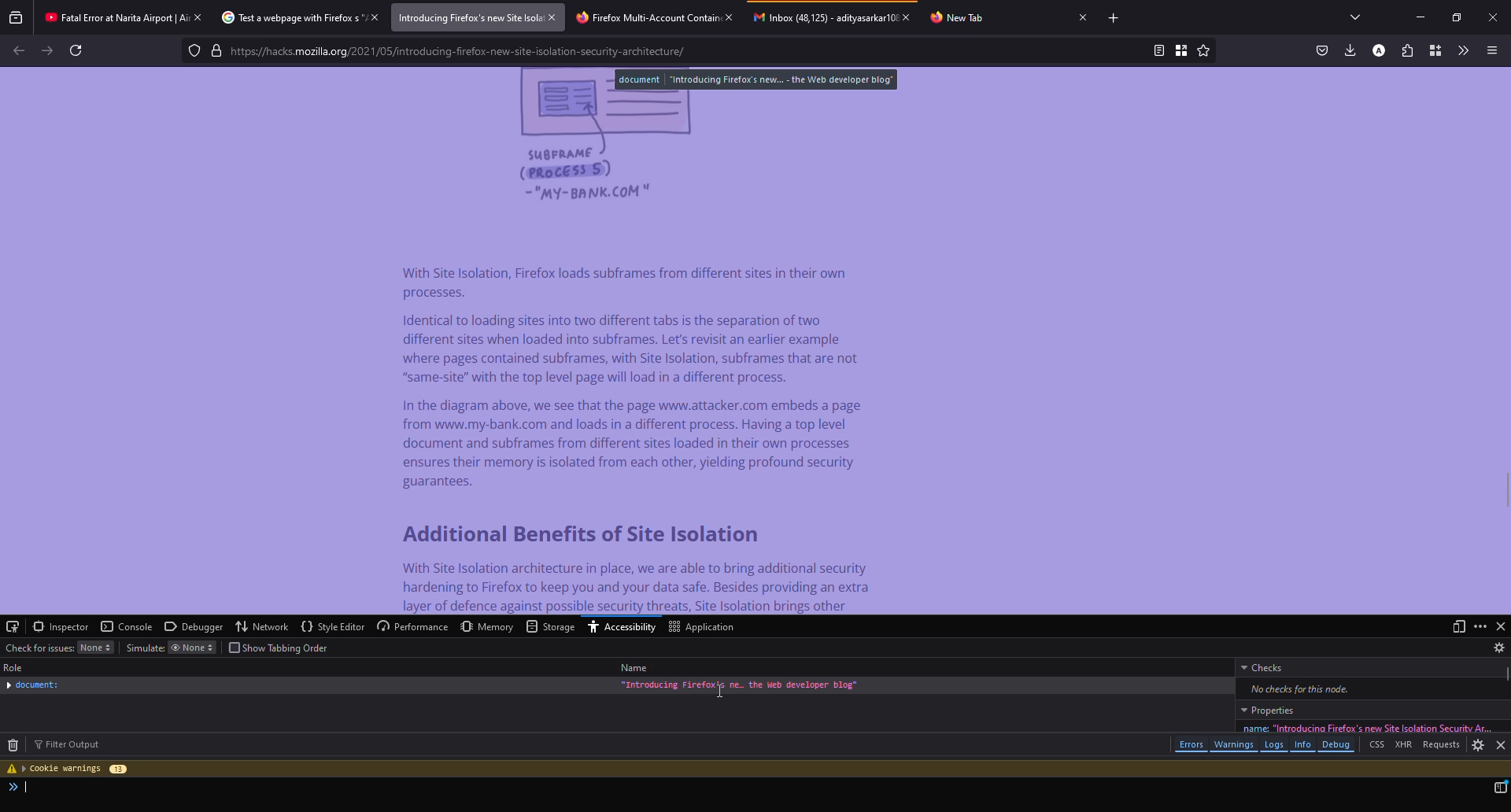  What do you see at coordinates (1407, 50) in the screenshot?
I see `extensions` at bounding box center [1407, 50].